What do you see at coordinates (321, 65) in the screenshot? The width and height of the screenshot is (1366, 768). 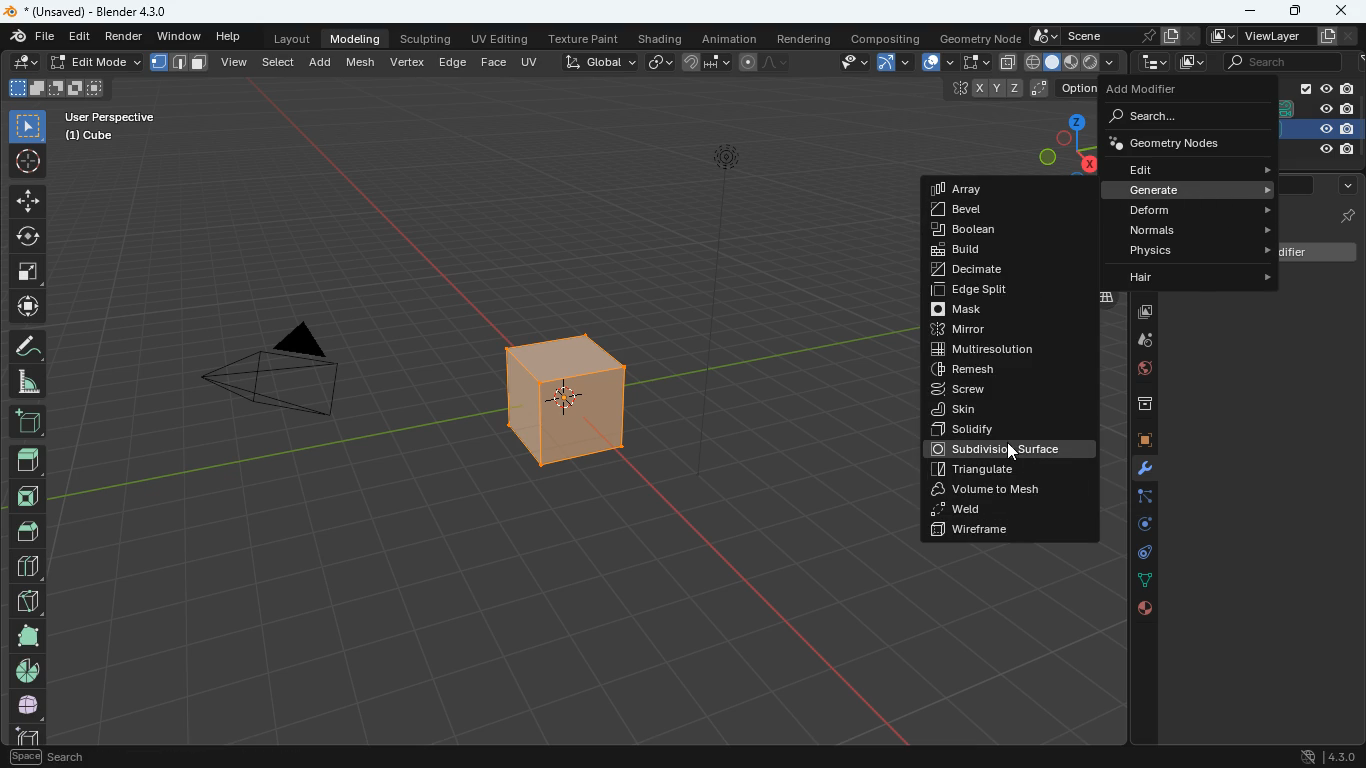 I see `add` at bounding box center [321, 65].